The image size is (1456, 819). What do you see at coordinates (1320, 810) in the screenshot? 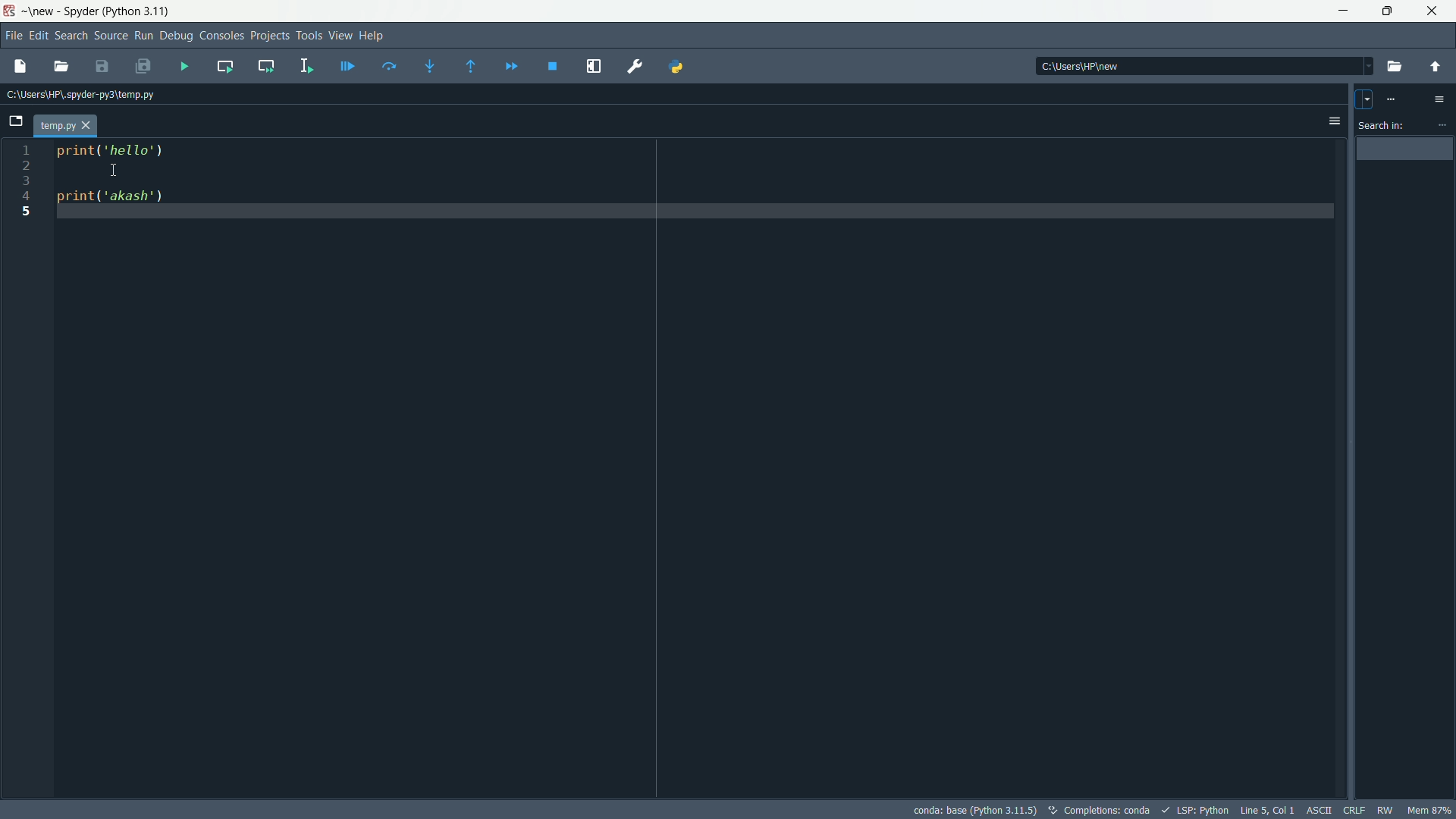
I see `file encoding` at bounding box center [1320, 810].